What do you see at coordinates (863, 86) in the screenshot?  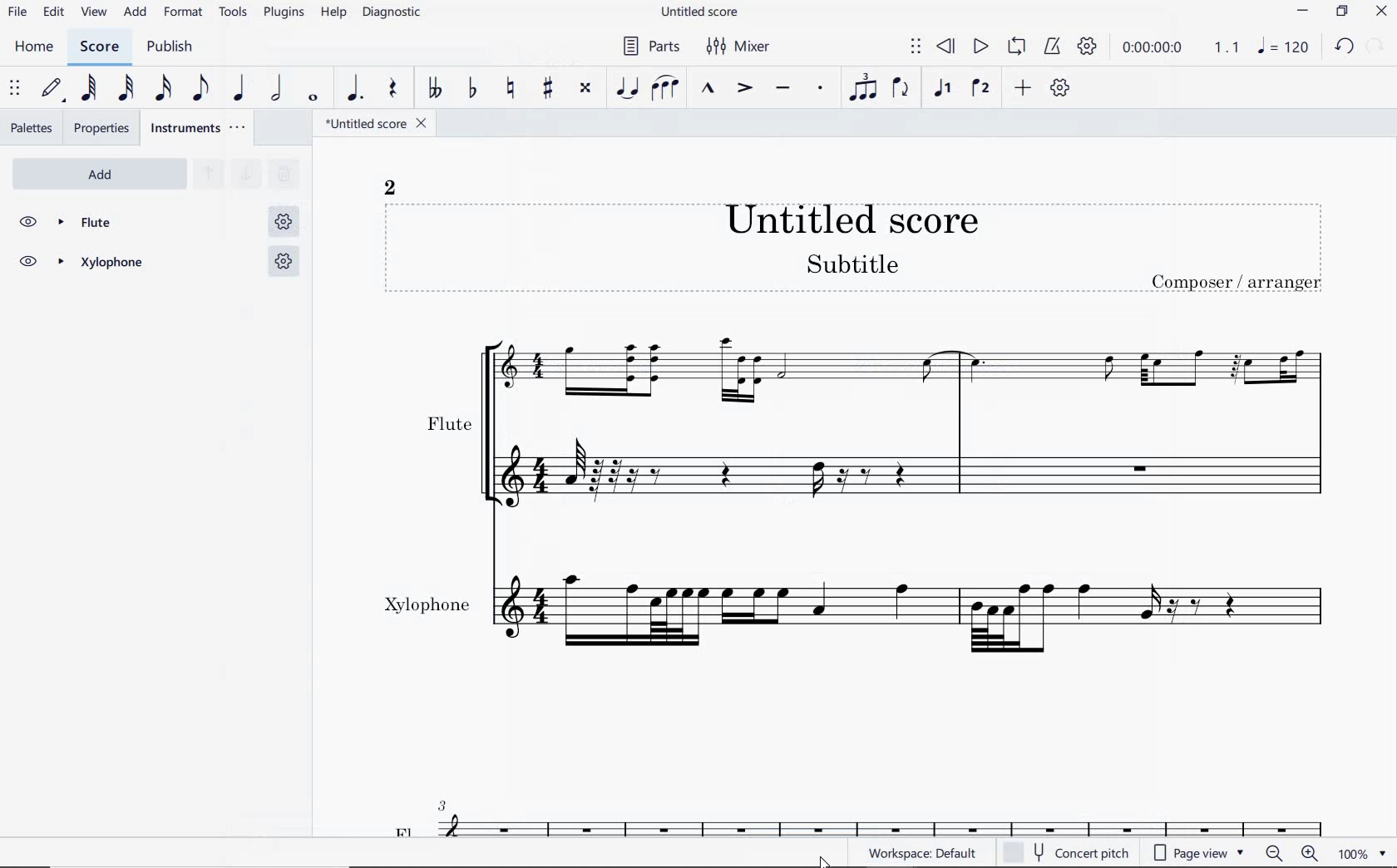 I see `TUPLET` at bounding box center [863, 86].